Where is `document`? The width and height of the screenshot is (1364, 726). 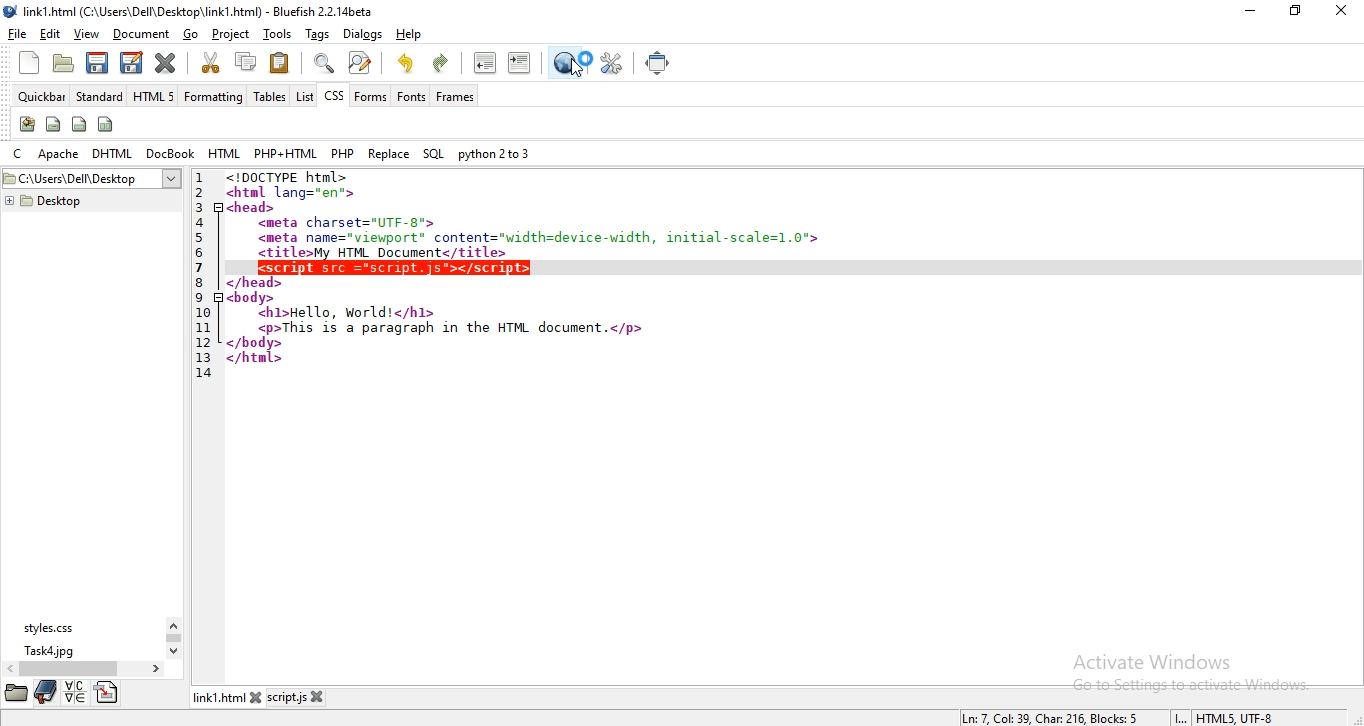
document is located at coordinates (141, 32).